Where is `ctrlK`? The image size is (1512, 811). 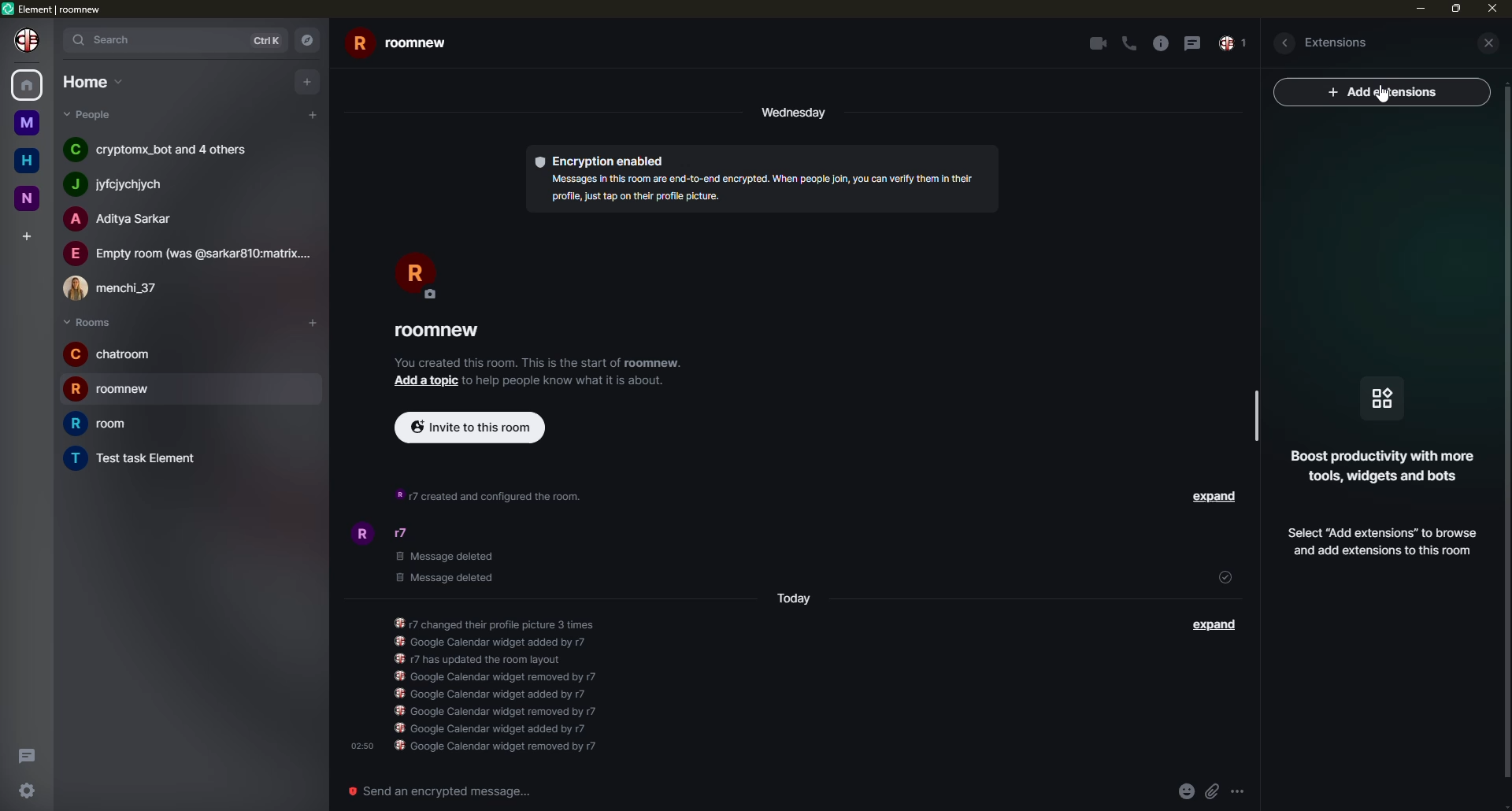
ctrlK is located at coordinates (267, 39).